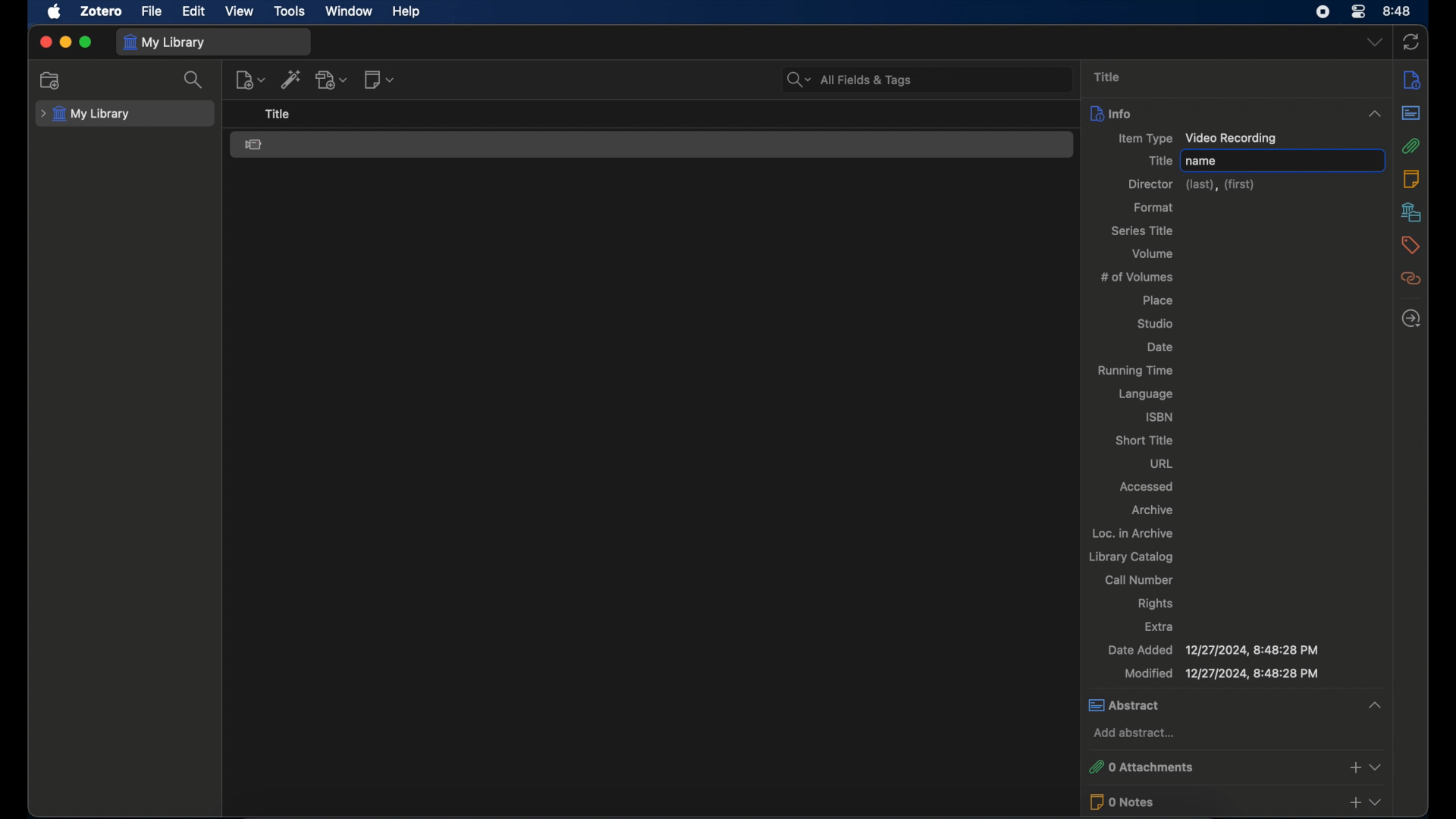 Image resolution: width=1456 pixels, height=819 pixels. What do you see at coordinates (349, 11) in the screenshot?
I see `window` at bounding box center [349, 11].